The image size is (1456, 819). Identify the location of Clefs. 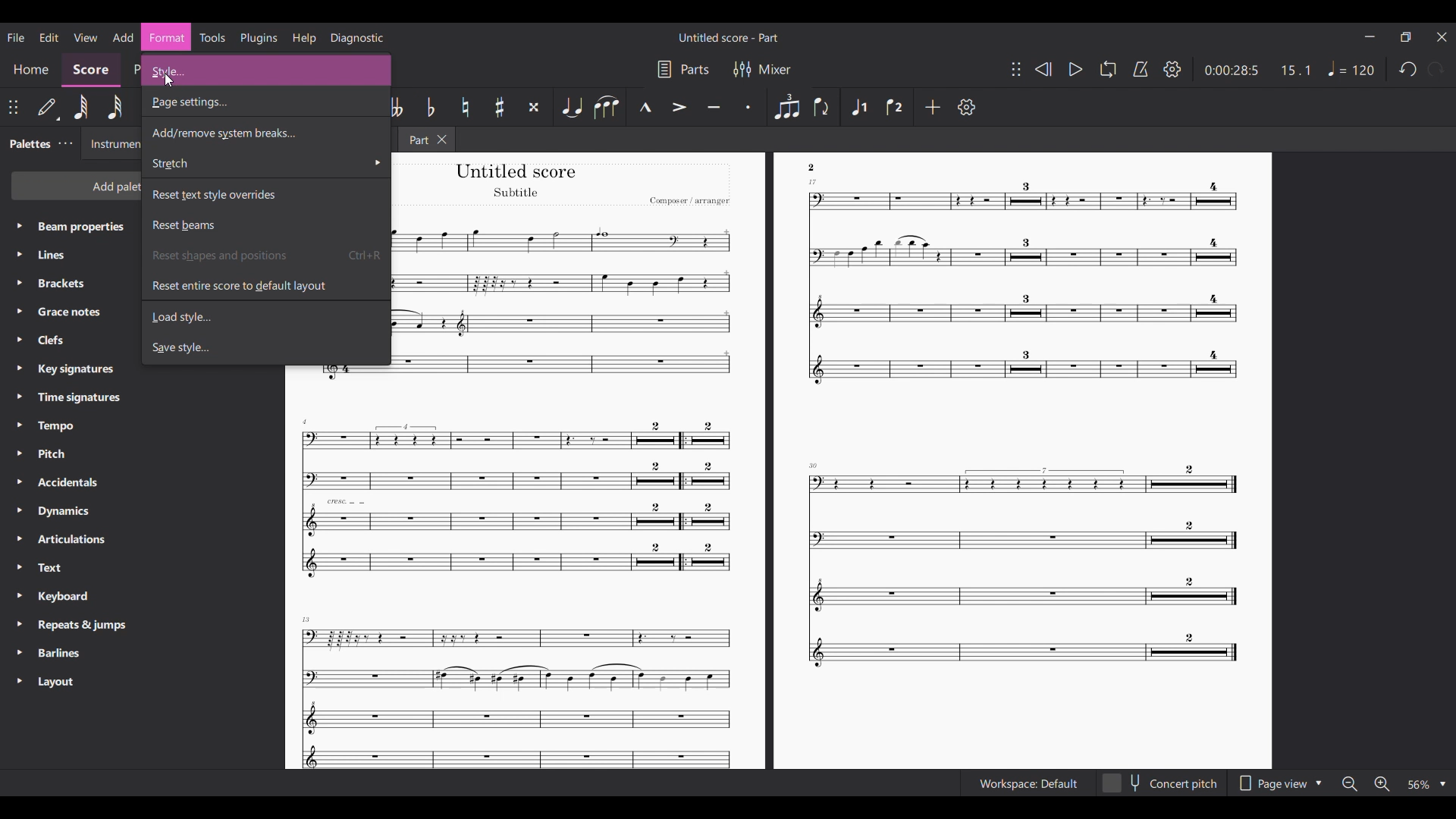
(68, 340).